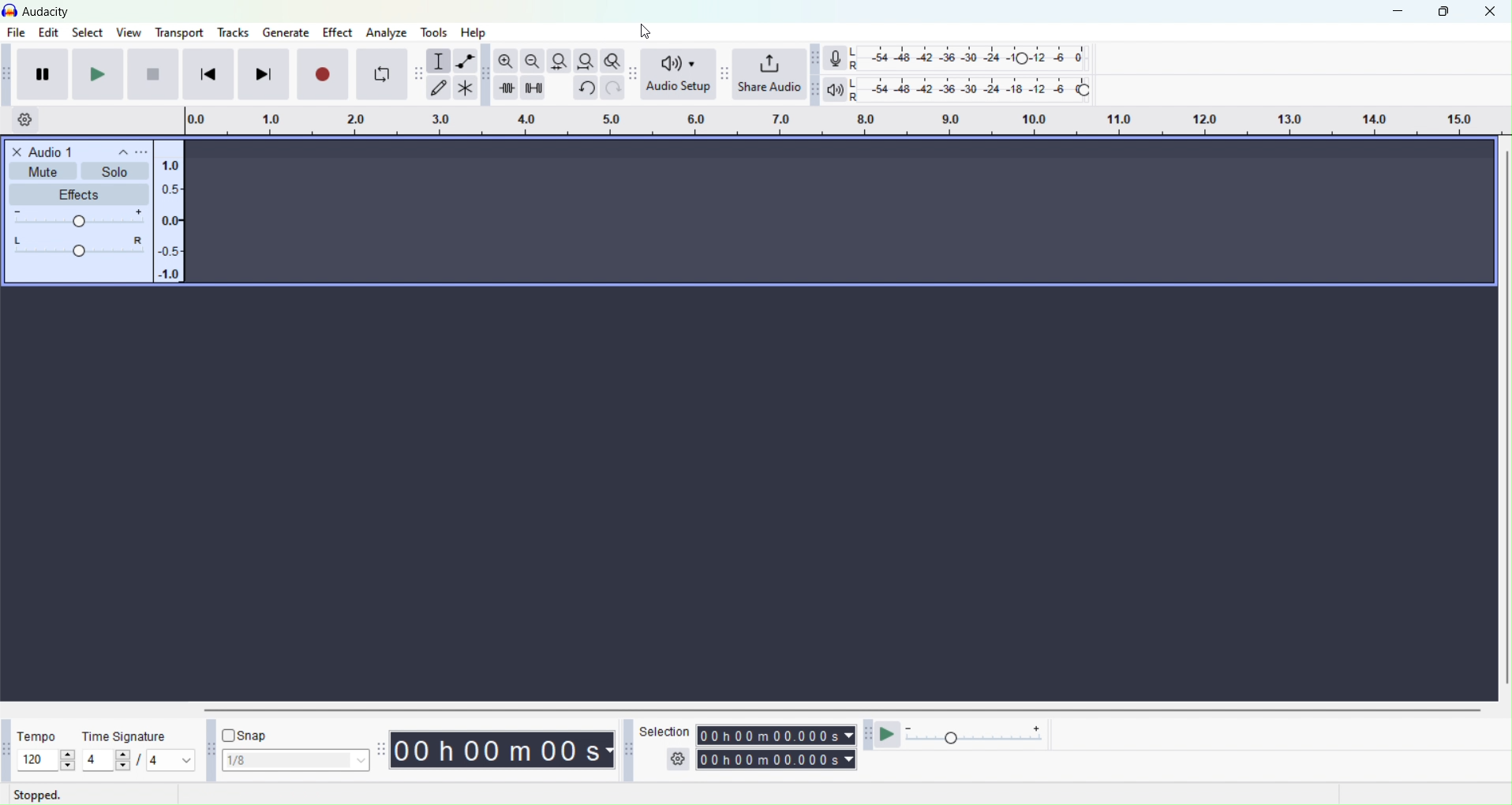  What do you see at coordinates (46, 73) in the screenshot?
I see `Pause` at bounding box center [46, 73].